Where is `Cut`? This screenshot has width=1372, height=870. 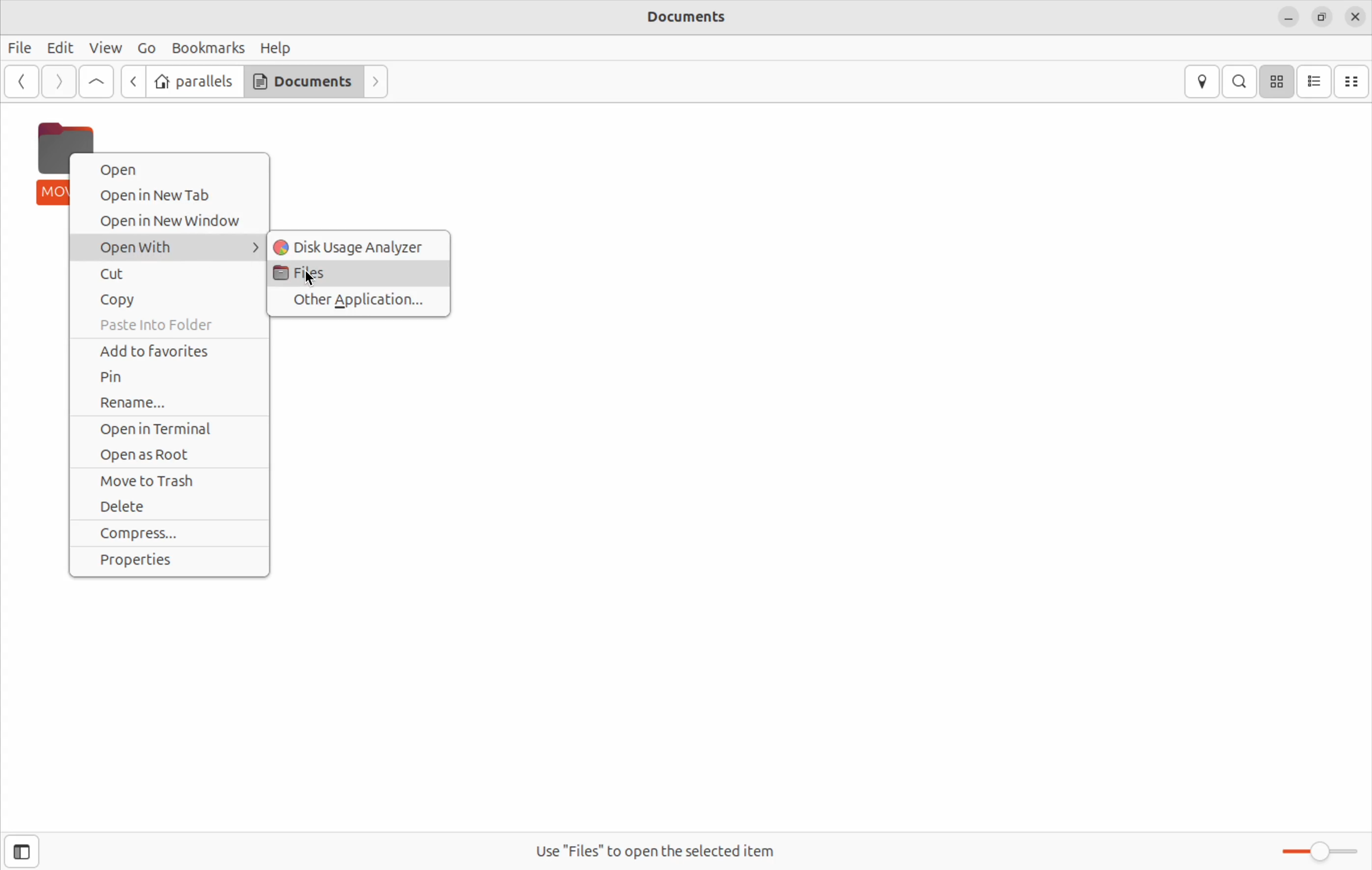 Cut is located at coordinates (165, 275).